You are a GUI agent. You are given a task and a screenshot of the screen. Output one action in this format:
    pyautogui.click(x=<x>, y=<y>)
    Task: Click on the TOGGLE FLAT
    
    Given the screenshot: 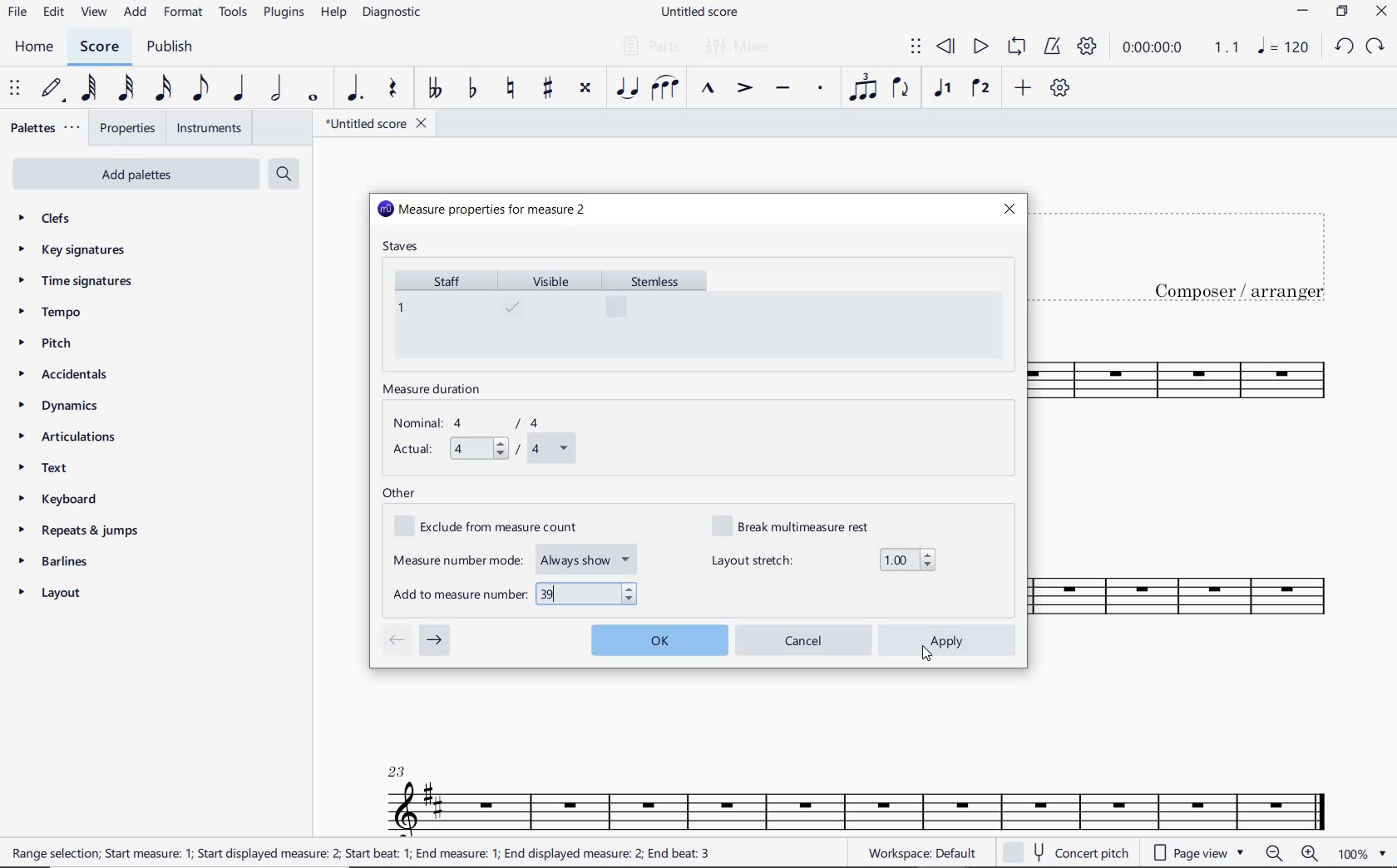 What is the action you would take?
    pyautogui.click(x=473, y=90)
    